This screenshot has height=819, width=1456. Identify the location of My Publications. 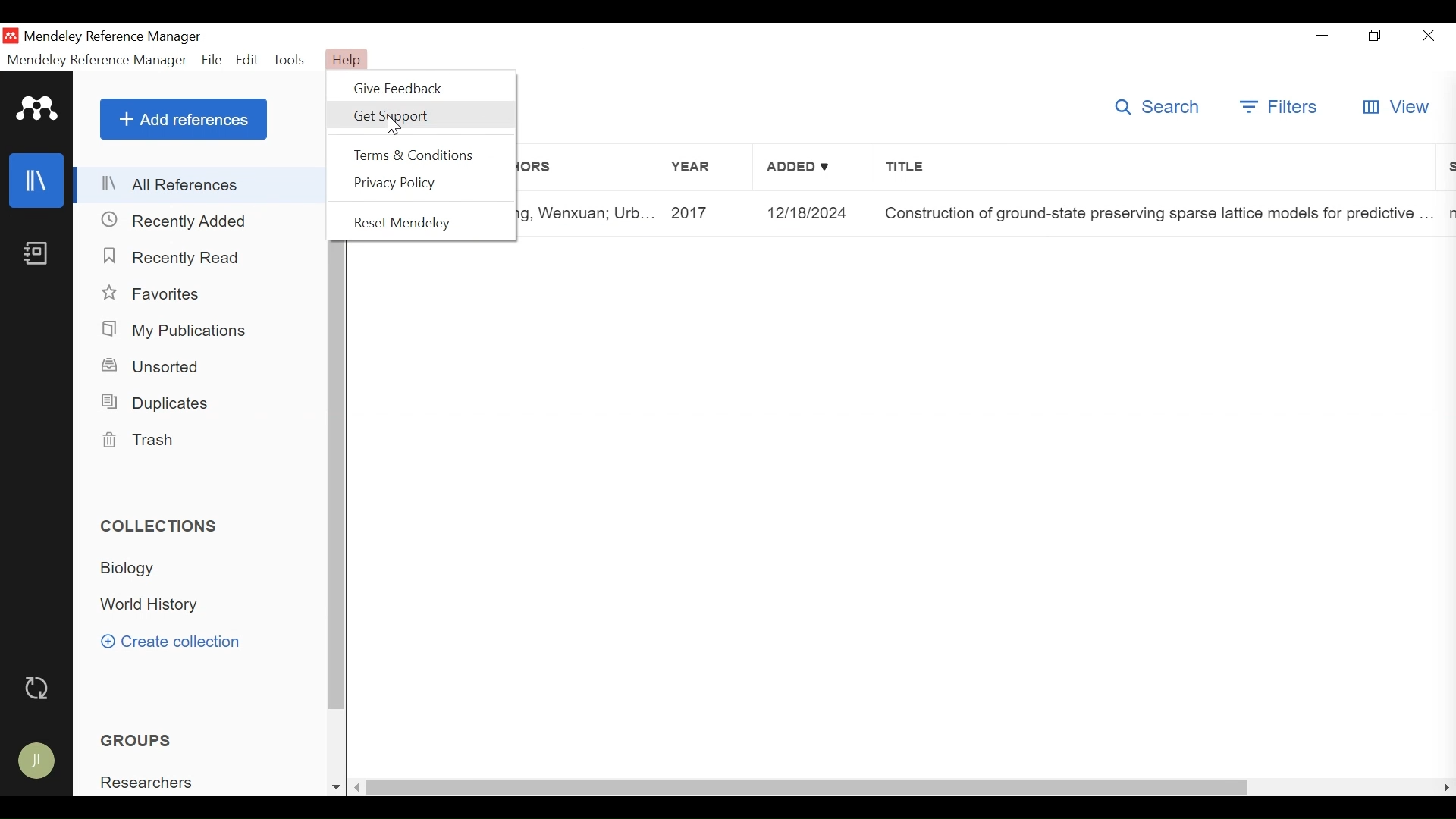
(172, 330).